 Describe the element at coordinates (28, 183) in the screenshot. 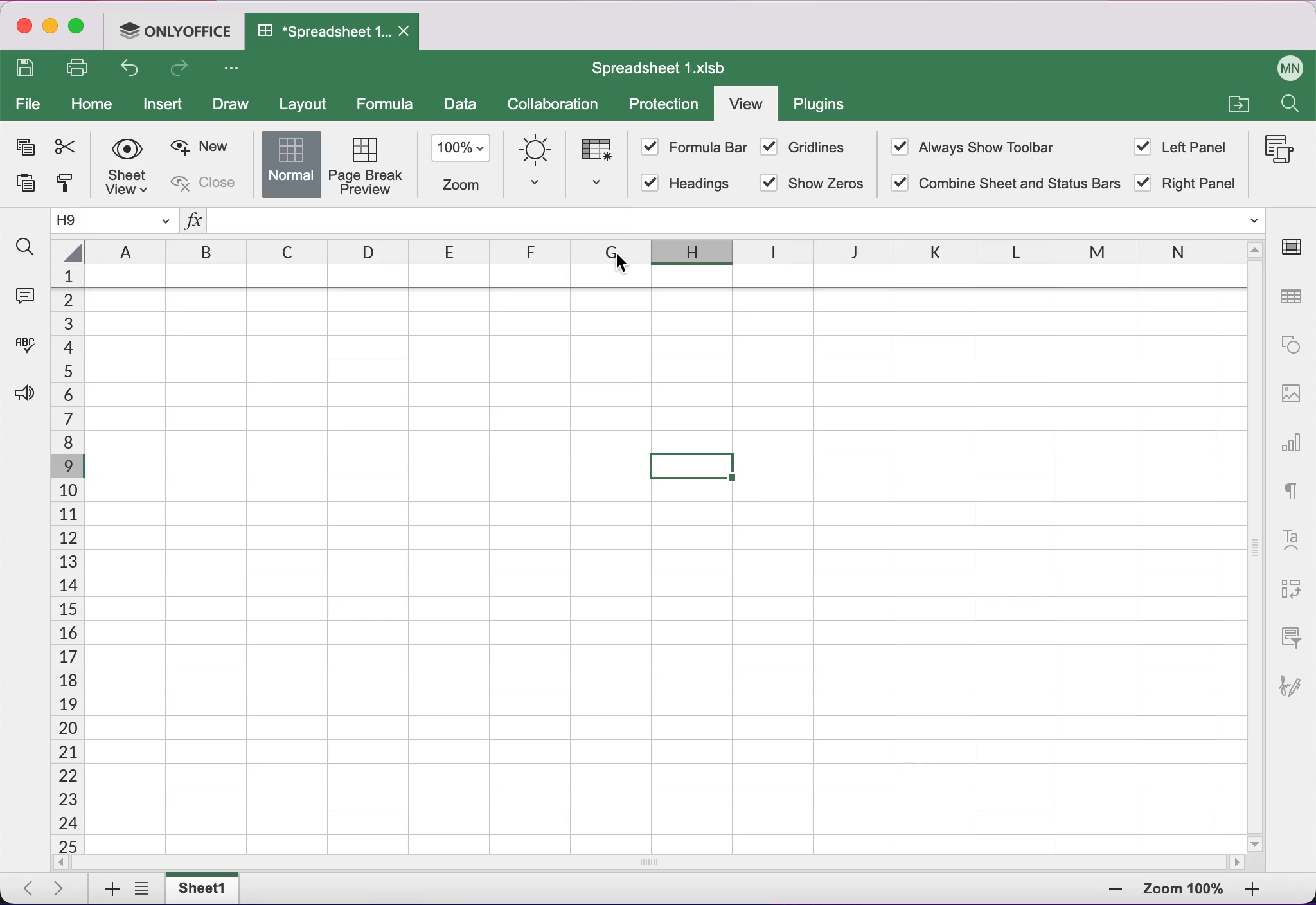

I see `paste` at that location.